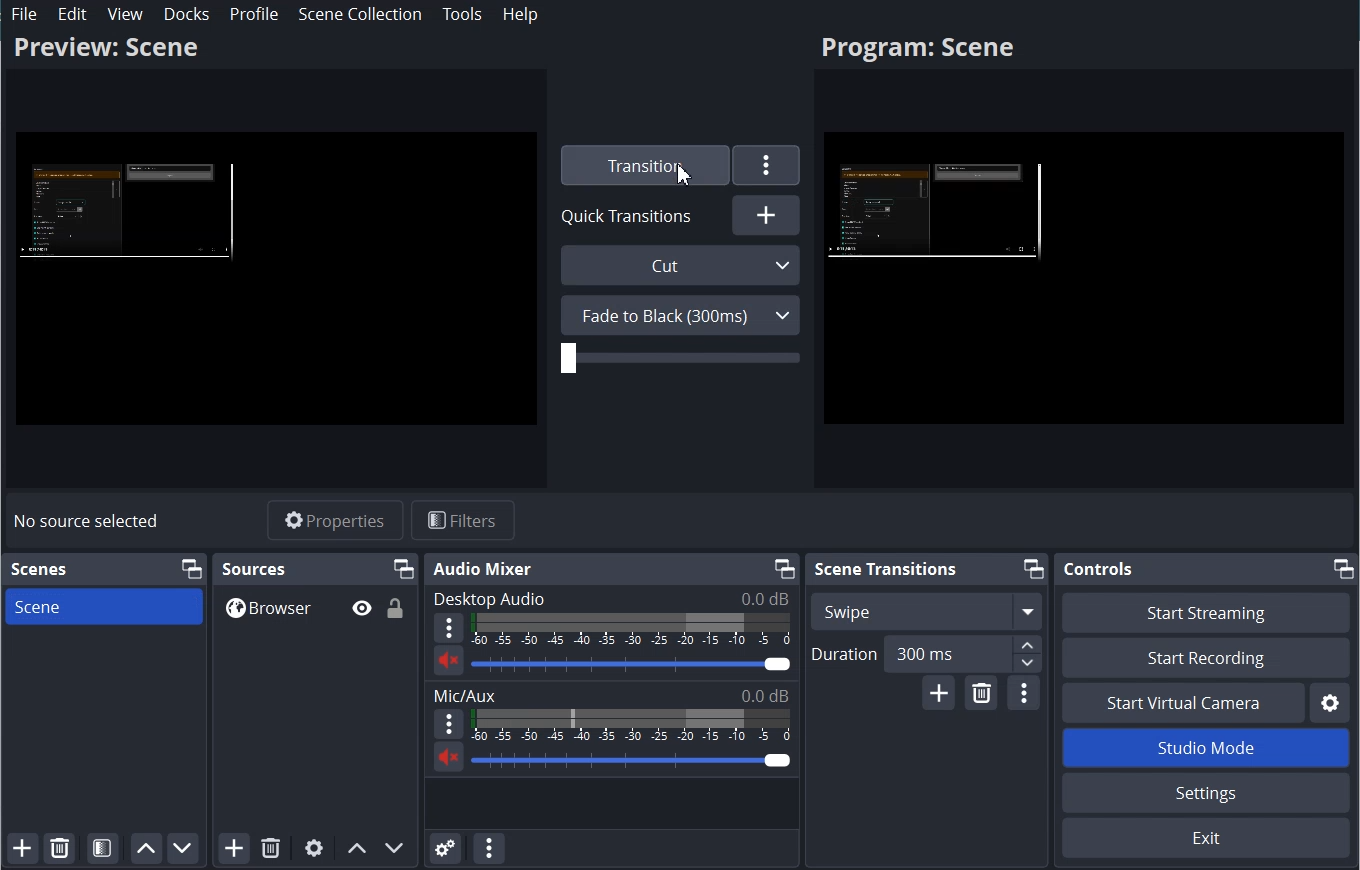 This screenshot has width=1360, height=870. Describe the element at coordinates (395, 848) in the screenshot. I see `Move Source Down` at that location.